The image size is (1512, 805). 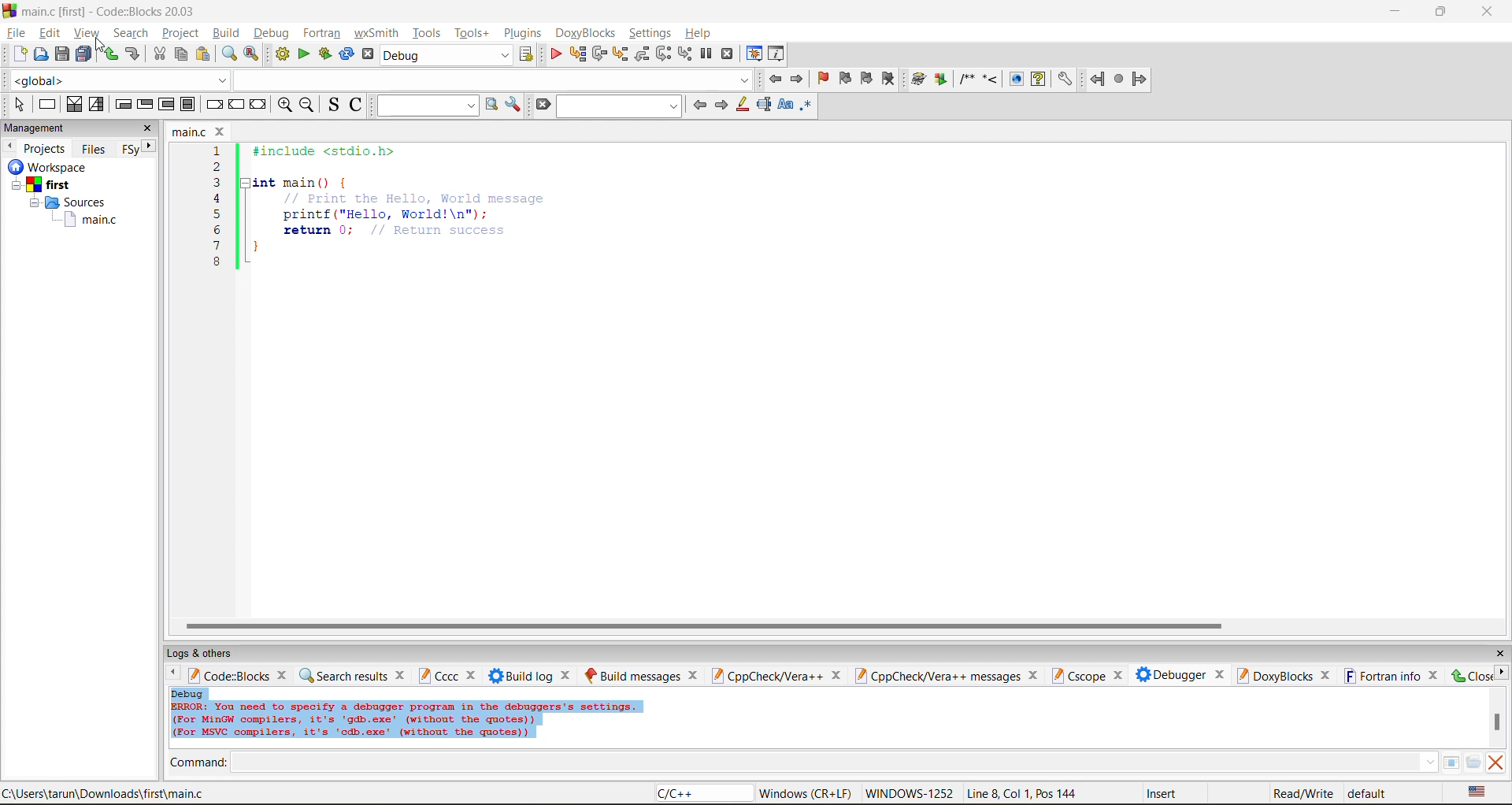 I want to click on ‘main.c [first] - Code::Blocks 20.03, so click(x=103, y=12).